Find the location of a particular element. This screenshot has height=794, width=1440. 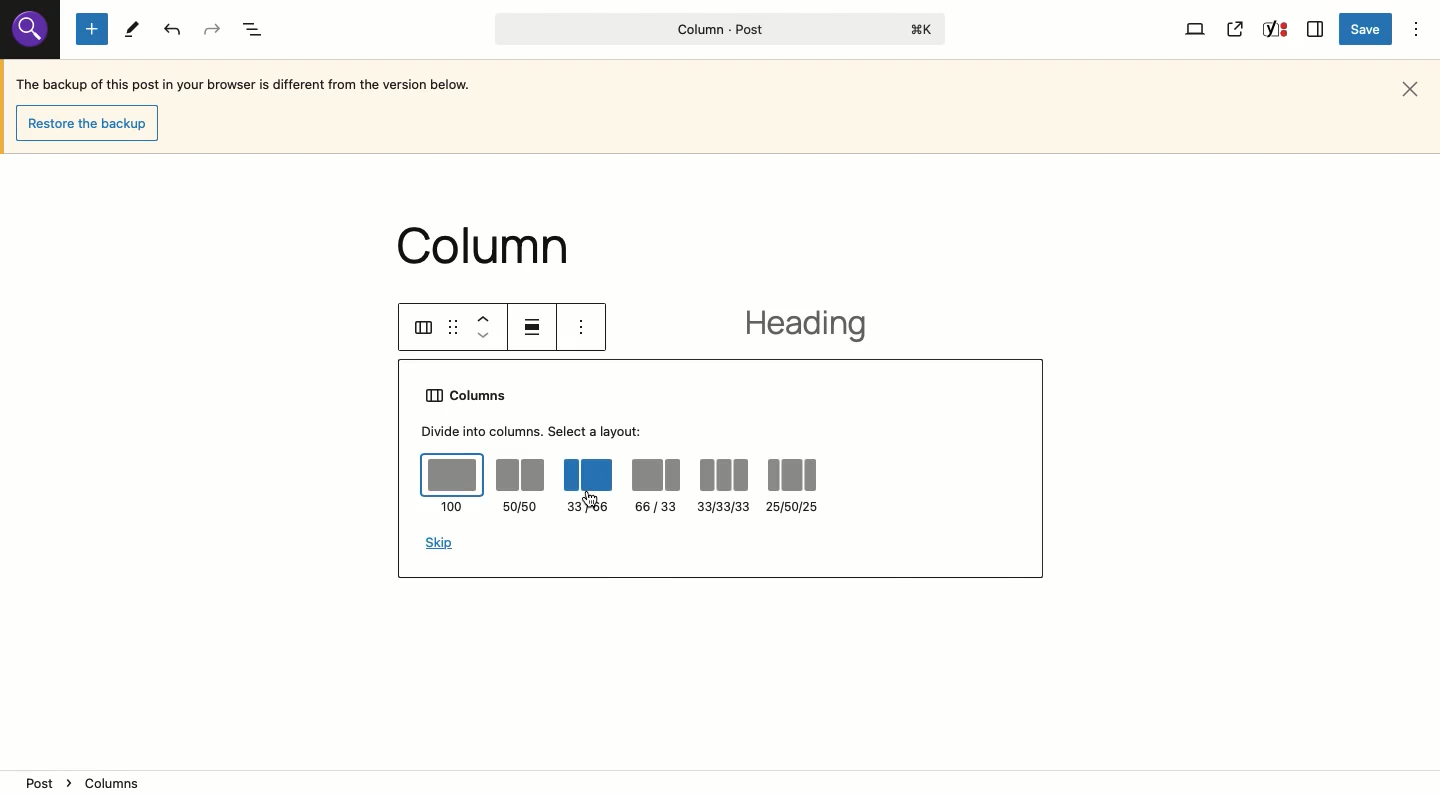

Title is located at coordinates (499, 241).